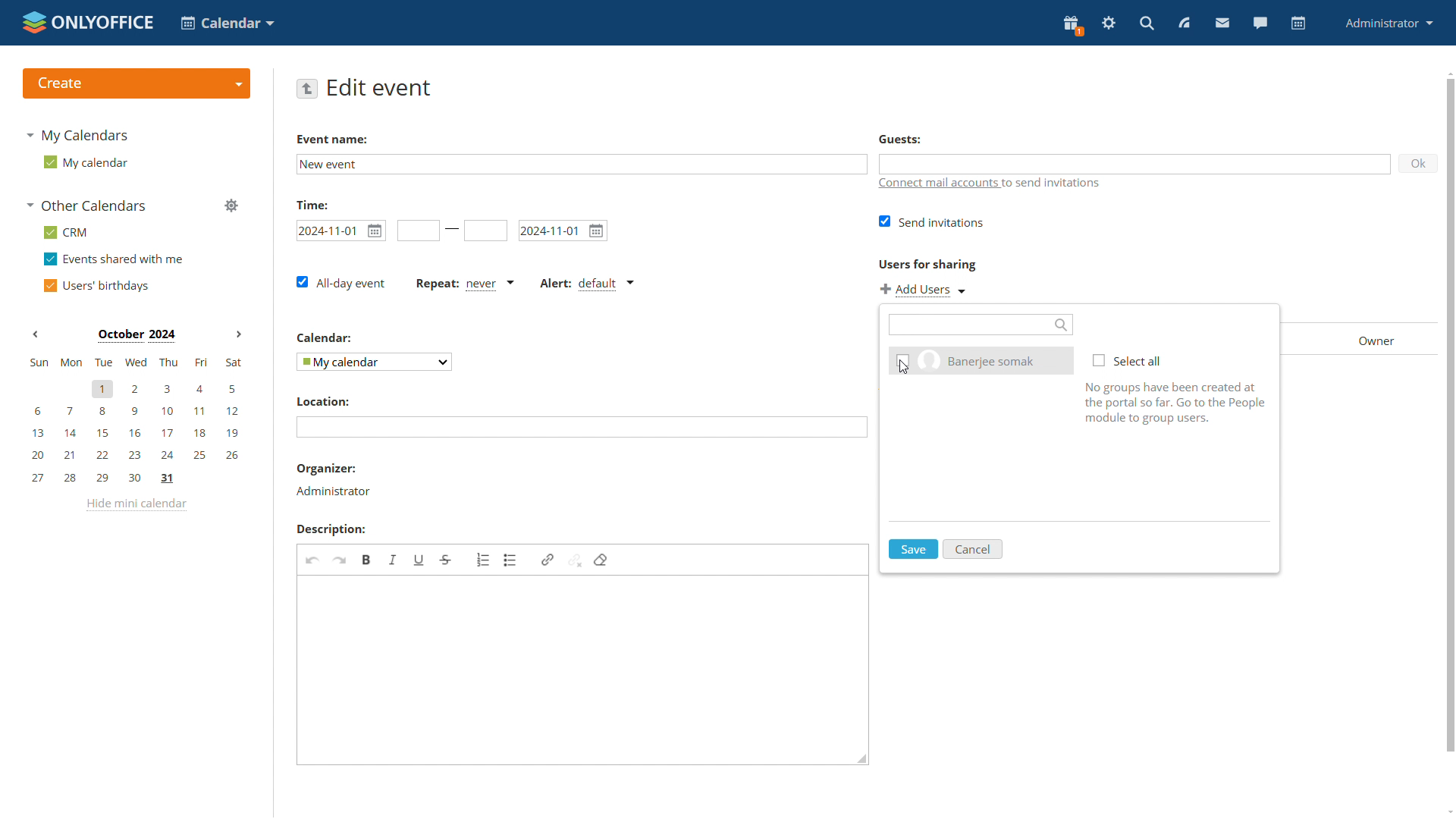 This screenshot has width=1456, height=819. I want to click on delete format, so click(601, 560).